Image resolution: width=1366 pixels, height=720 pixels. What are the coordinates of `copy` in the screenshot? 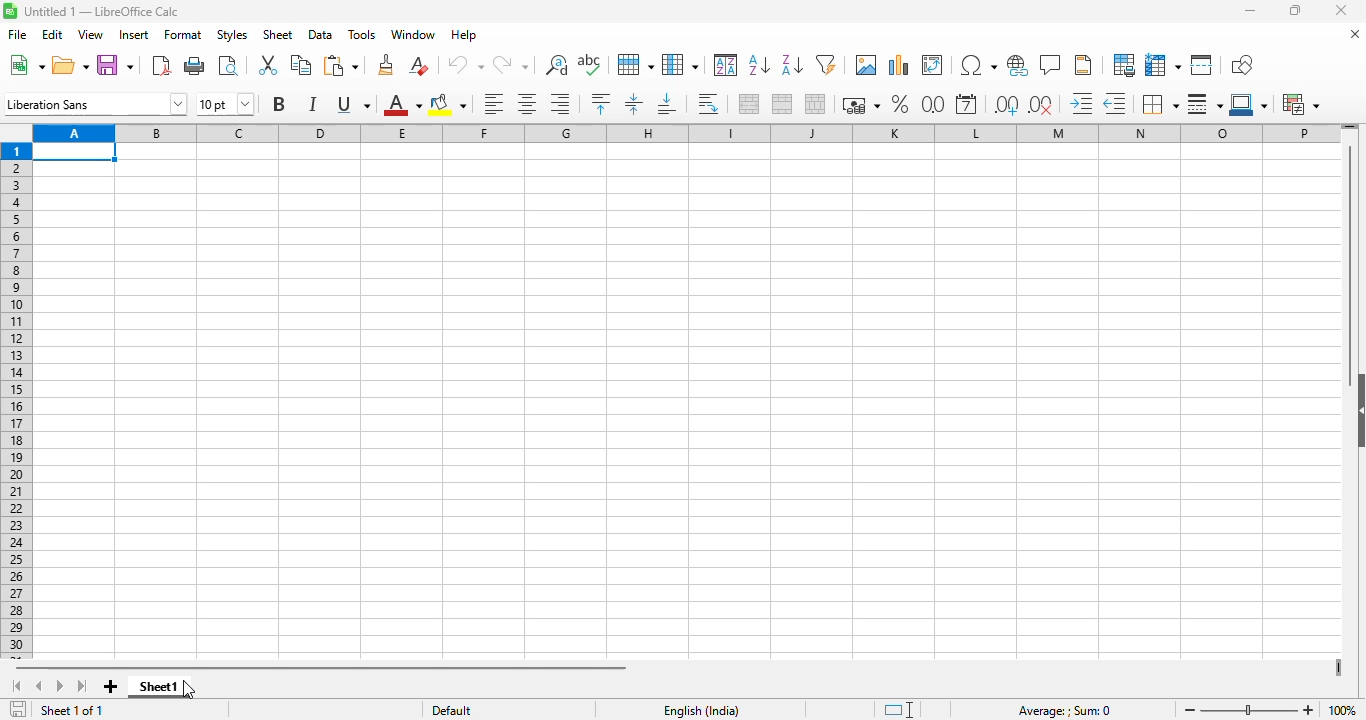 It's located at (301, 65).